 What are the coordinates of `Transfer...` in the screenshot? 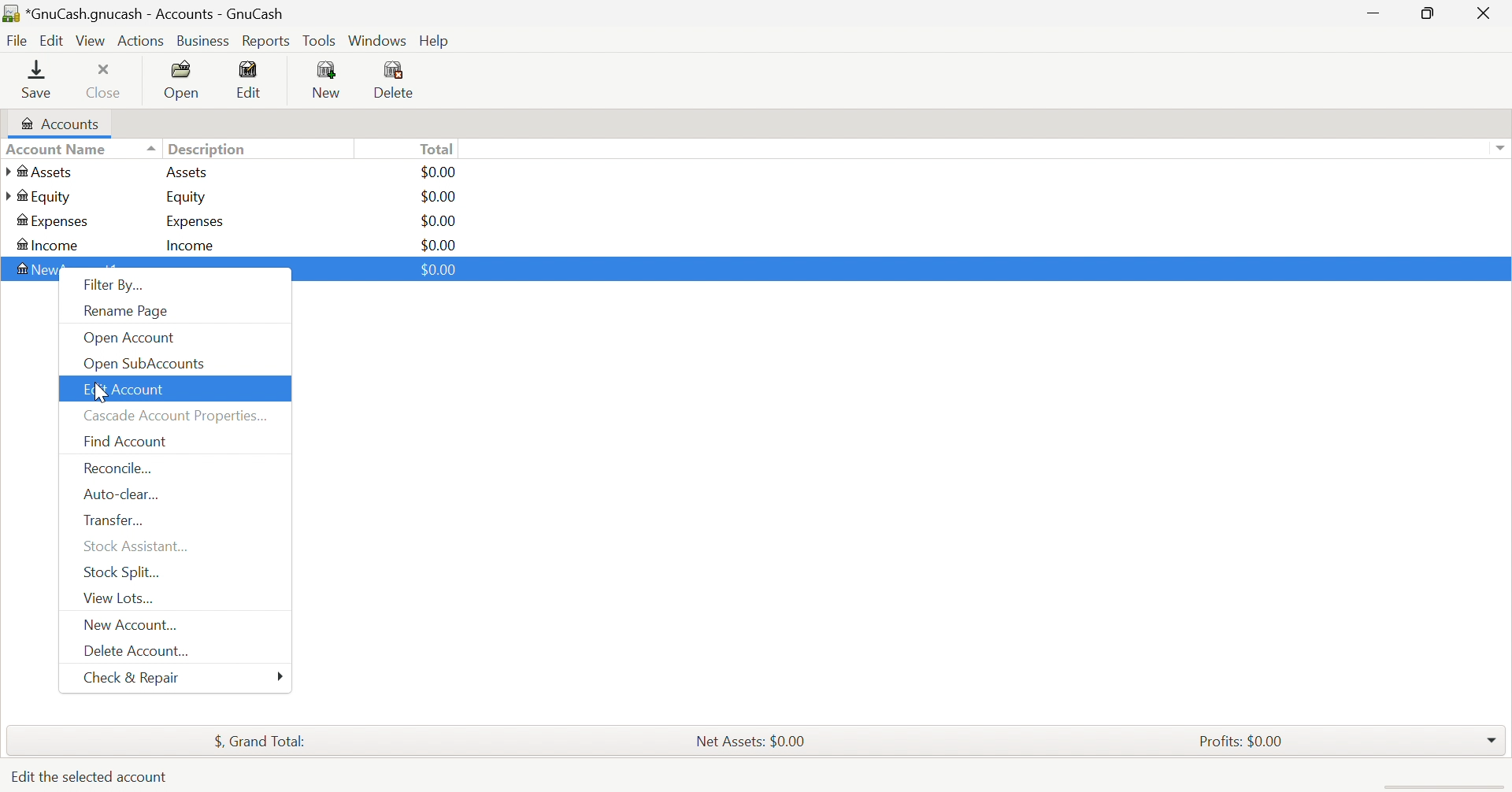 It's located at (114, 520).